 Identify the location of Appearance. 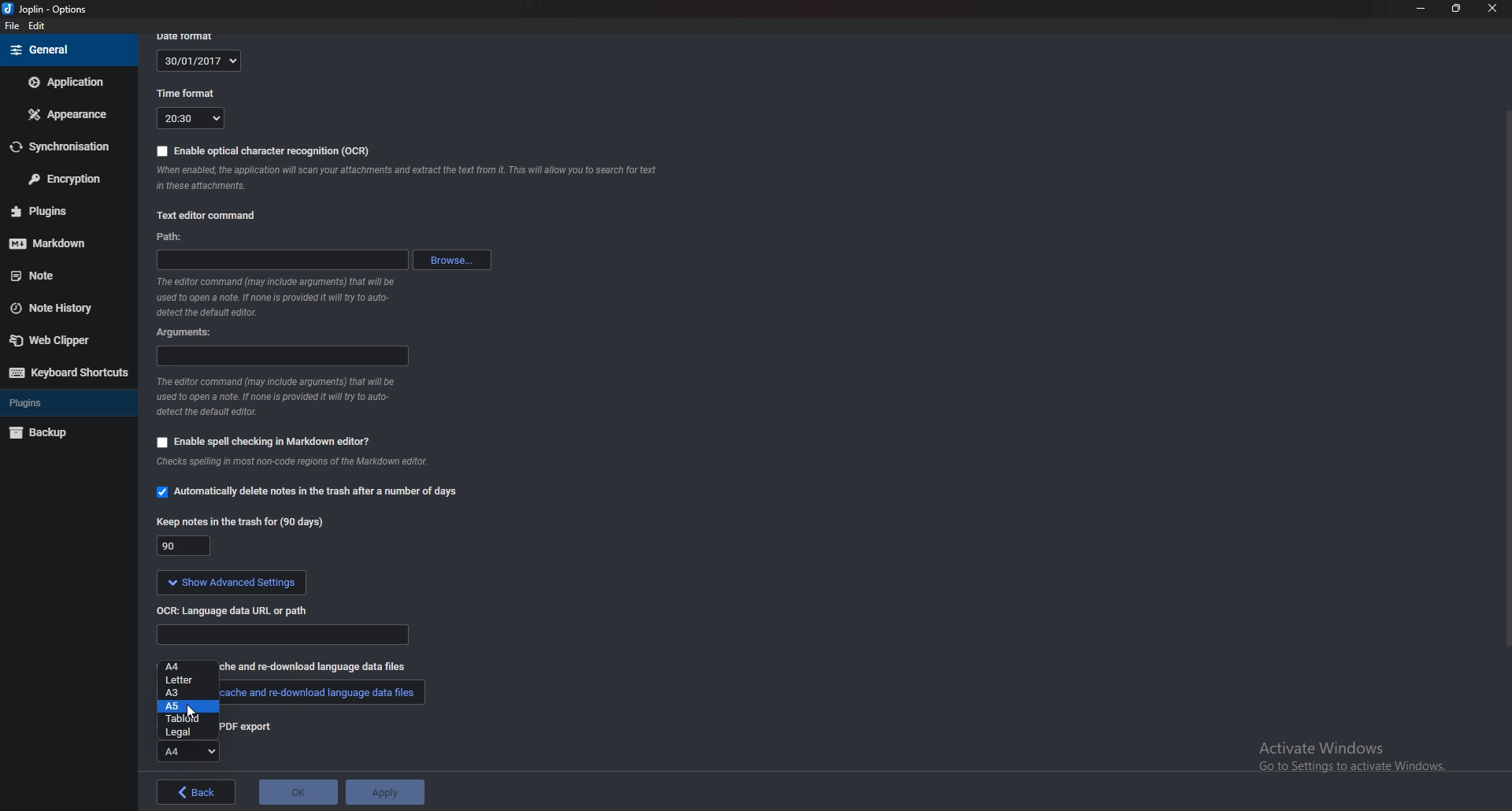
(65, 115).